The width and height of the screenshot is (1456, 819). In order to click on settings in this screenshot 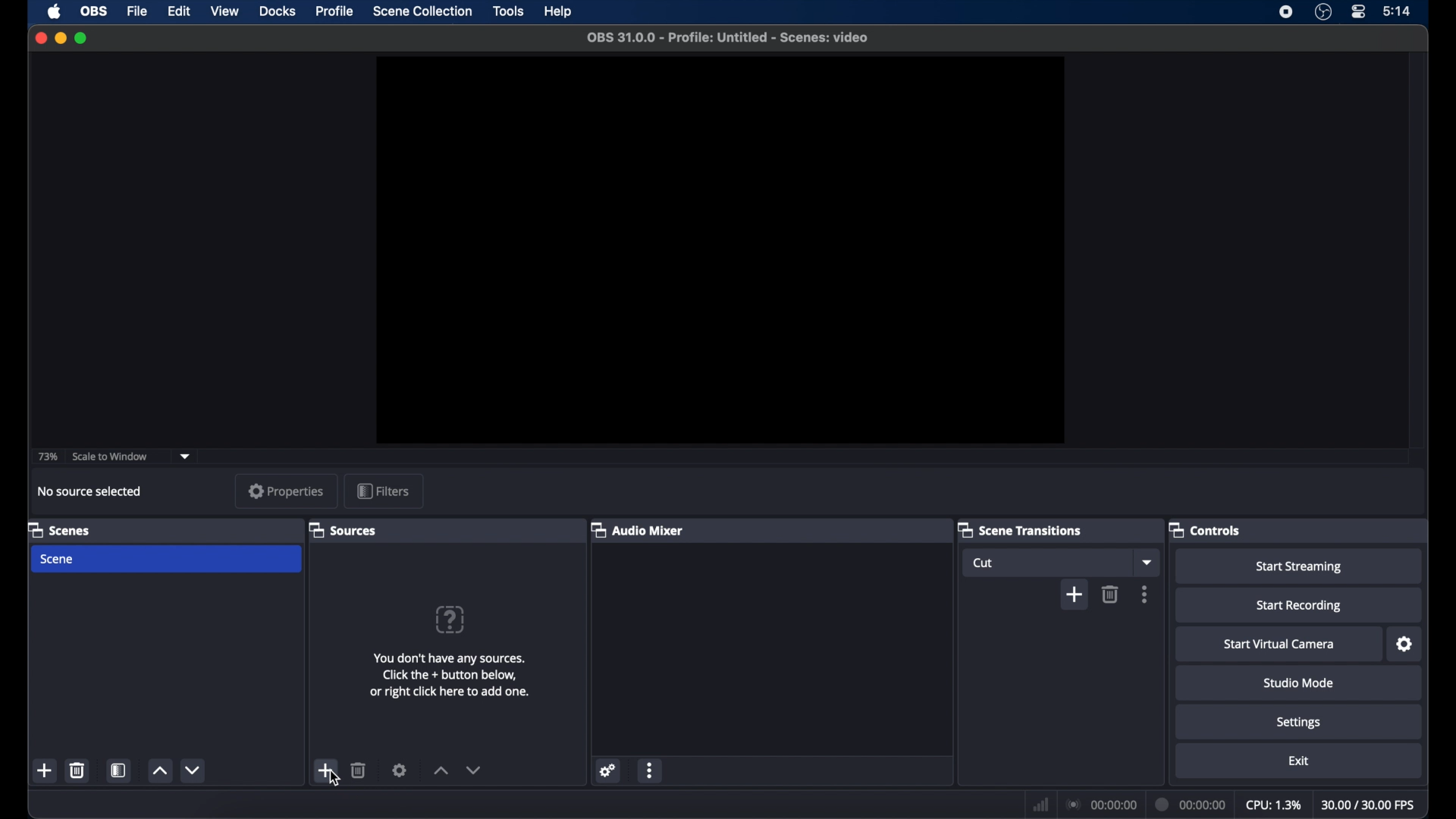, I will do `click(400, 770)`.